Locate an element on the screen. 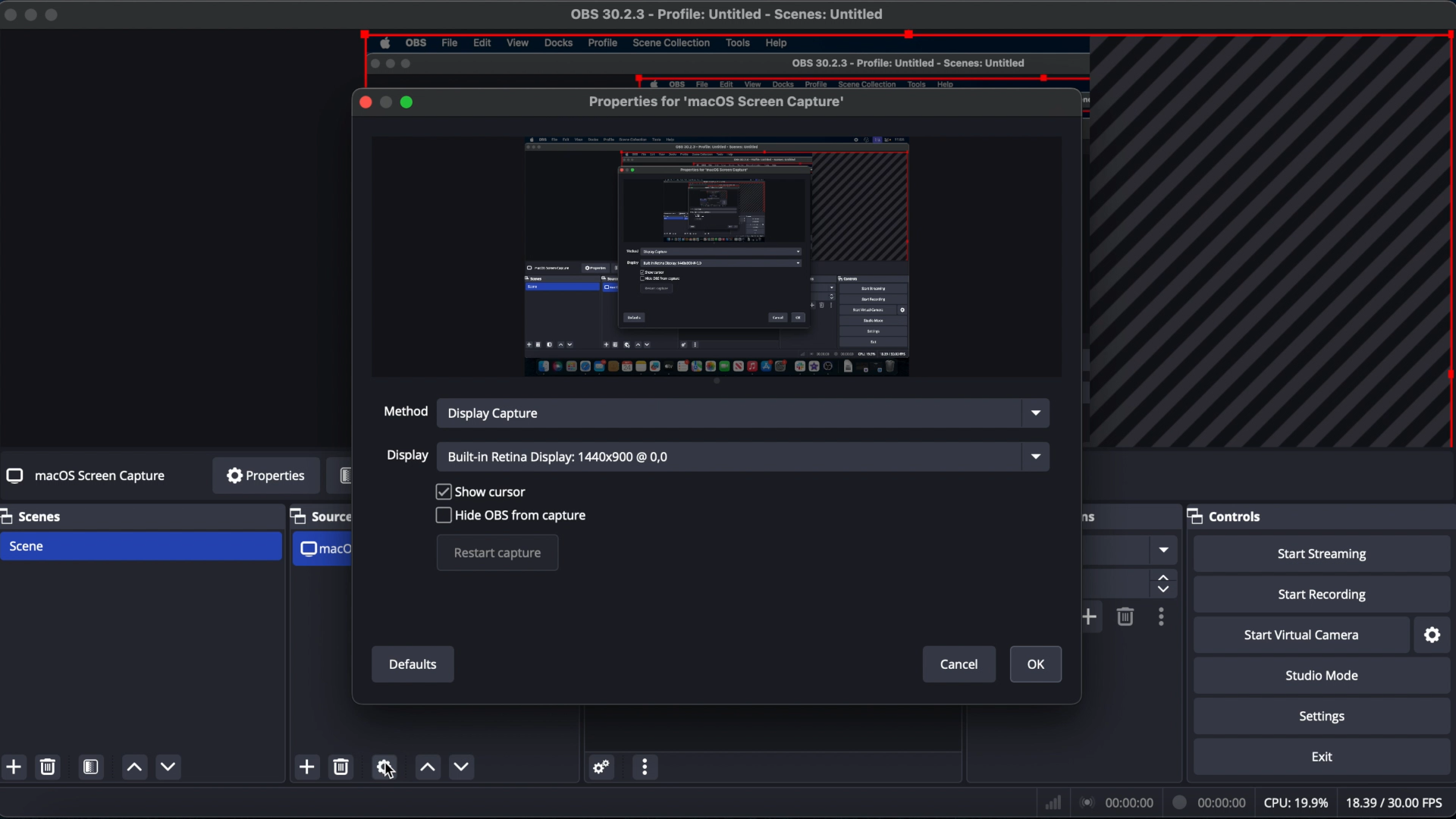  hide OBS from capture checkbox is located at coordinates (511, 515).